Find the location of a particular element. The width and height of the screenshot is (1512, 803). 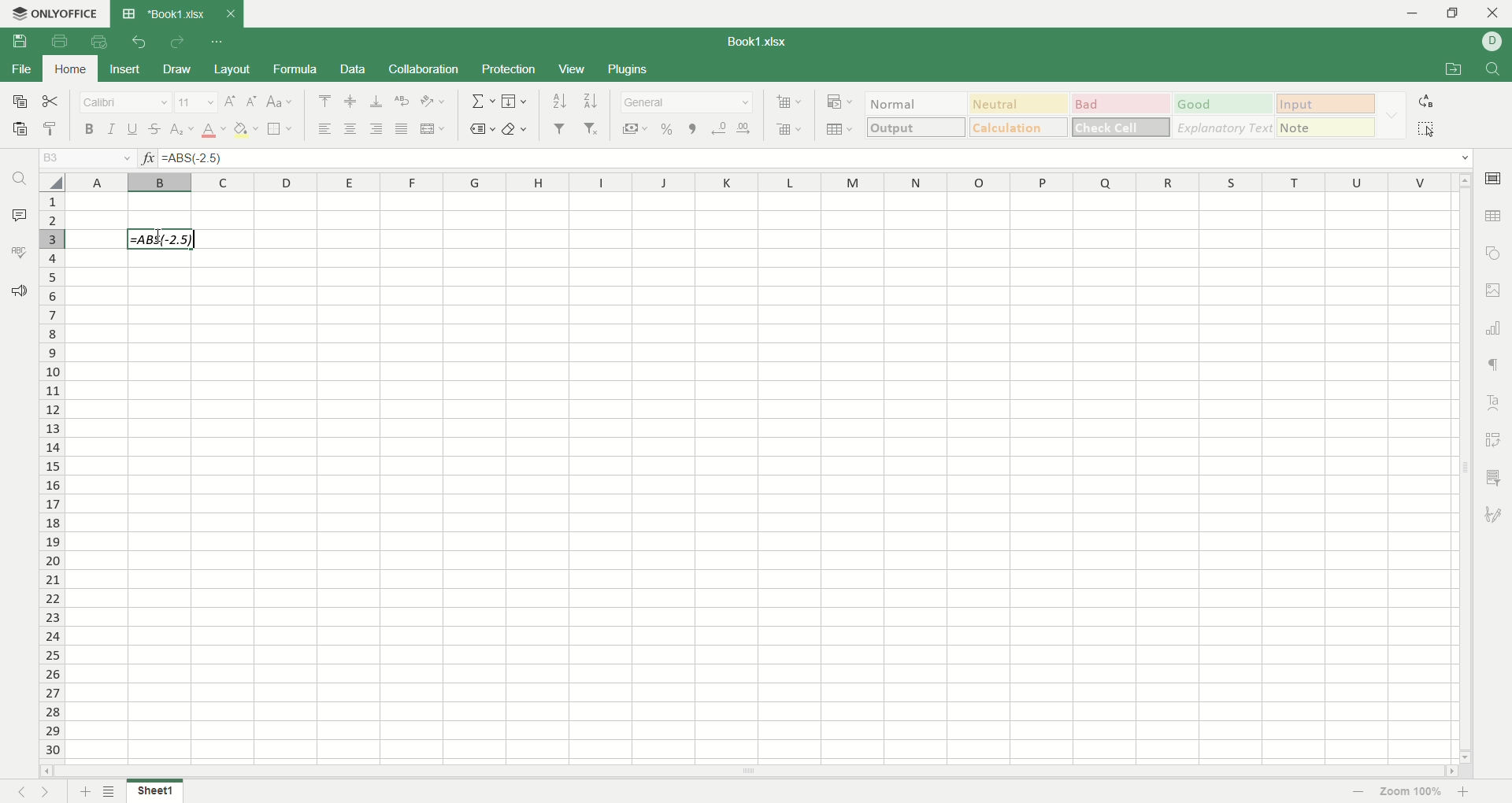

draw is located at coordinates (177, 69).